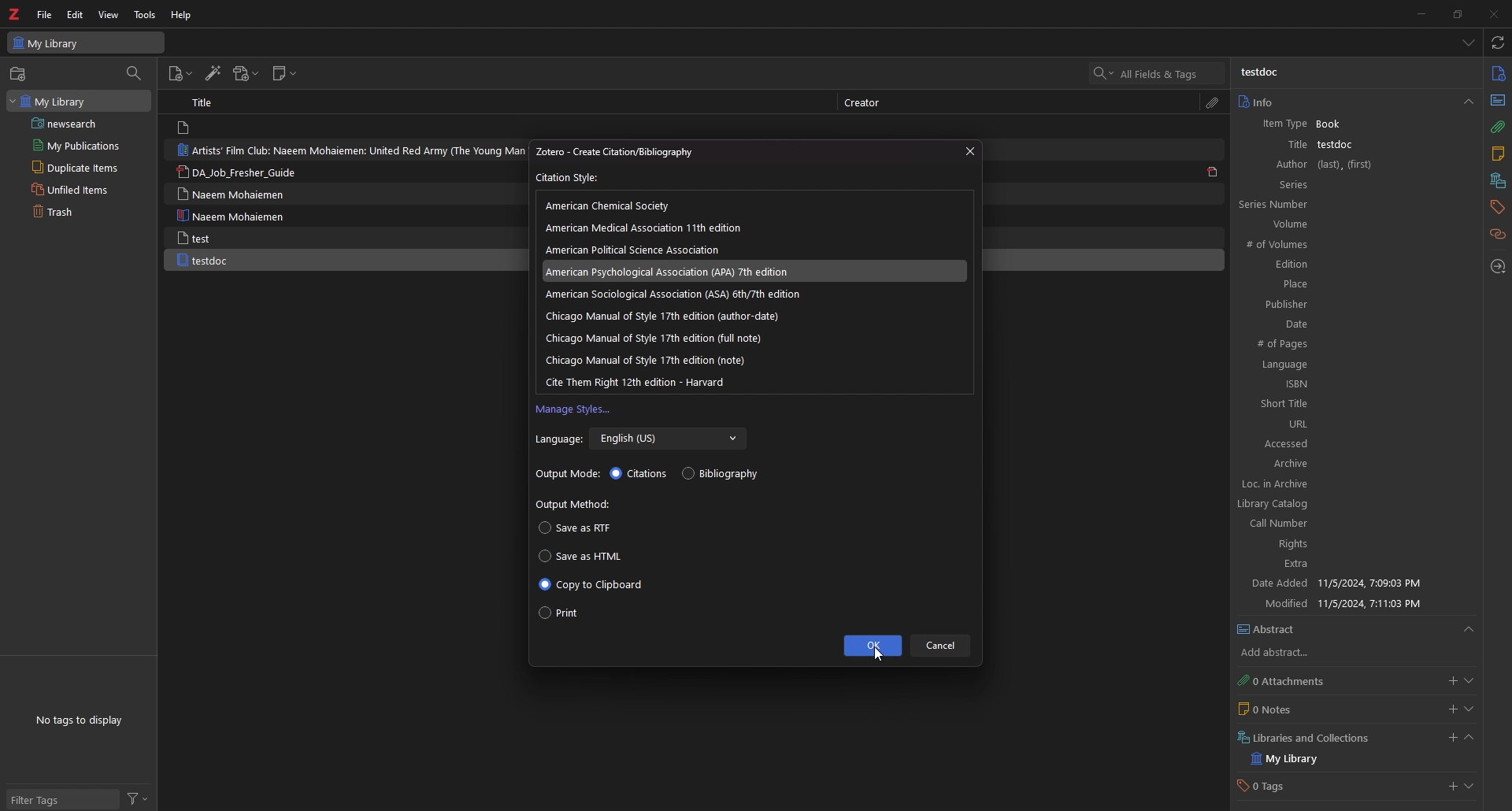 This screenshot has height=811, width=1512. I want to click on add libraries or collection, so click(1450, 740).